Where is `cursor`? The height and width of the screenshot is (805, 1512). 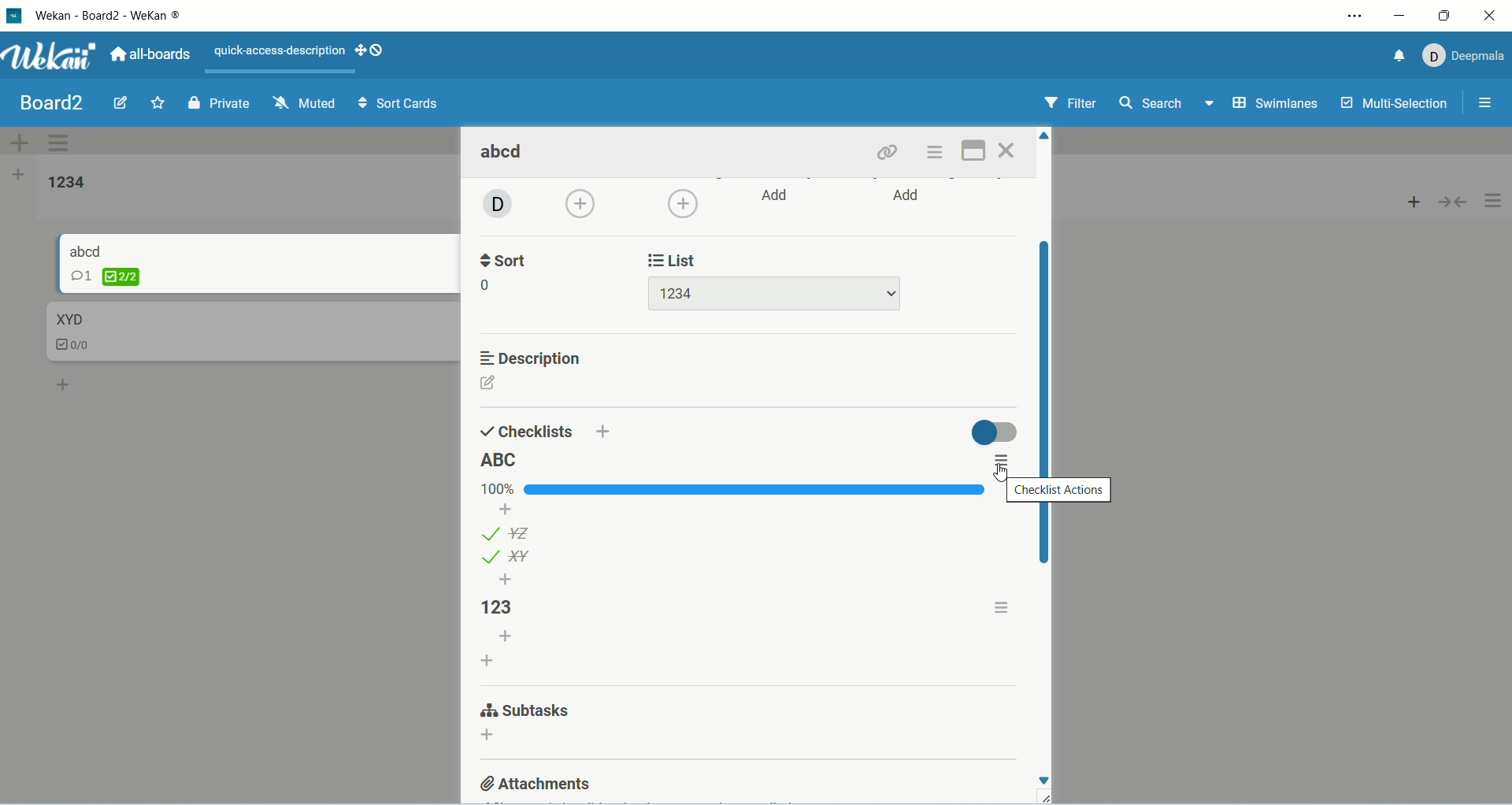 cursor is located at coordinates (1003, 471).